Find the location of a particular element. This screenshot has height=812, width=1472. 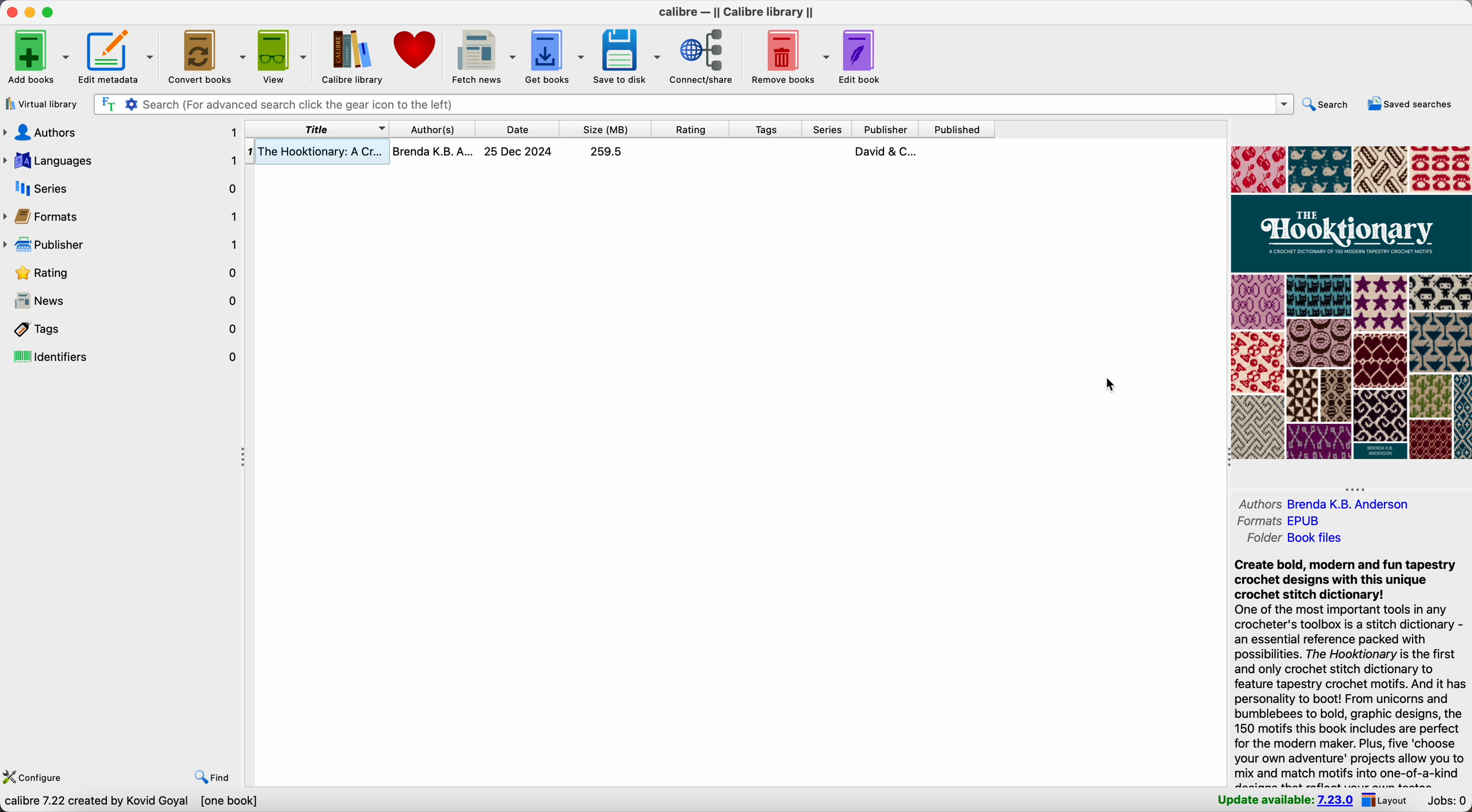

publisher is located at coordinates (886, 129).